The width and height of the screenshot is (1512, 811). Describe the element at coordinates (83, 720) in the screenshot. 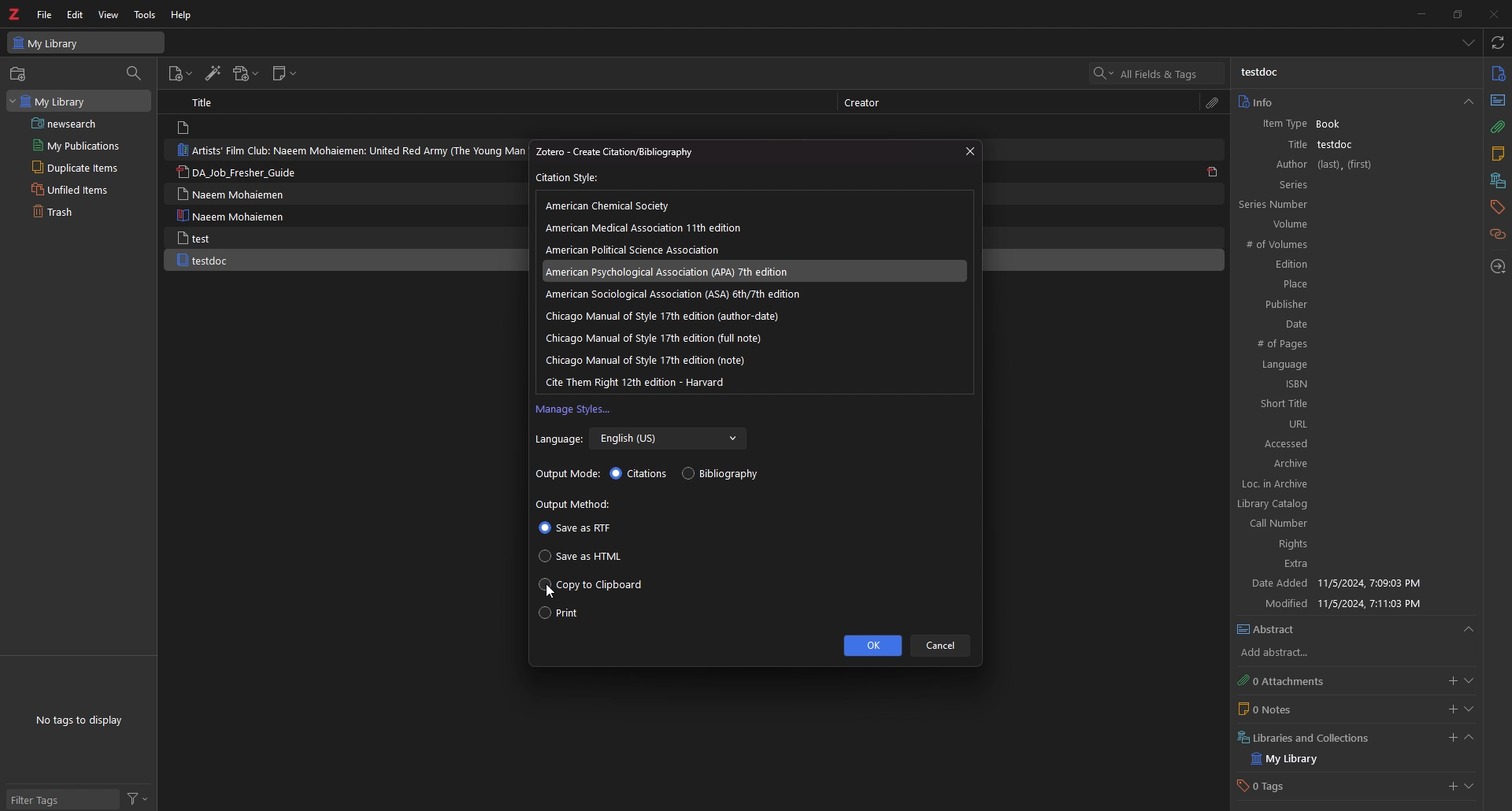

I see `tags to display` at that location.